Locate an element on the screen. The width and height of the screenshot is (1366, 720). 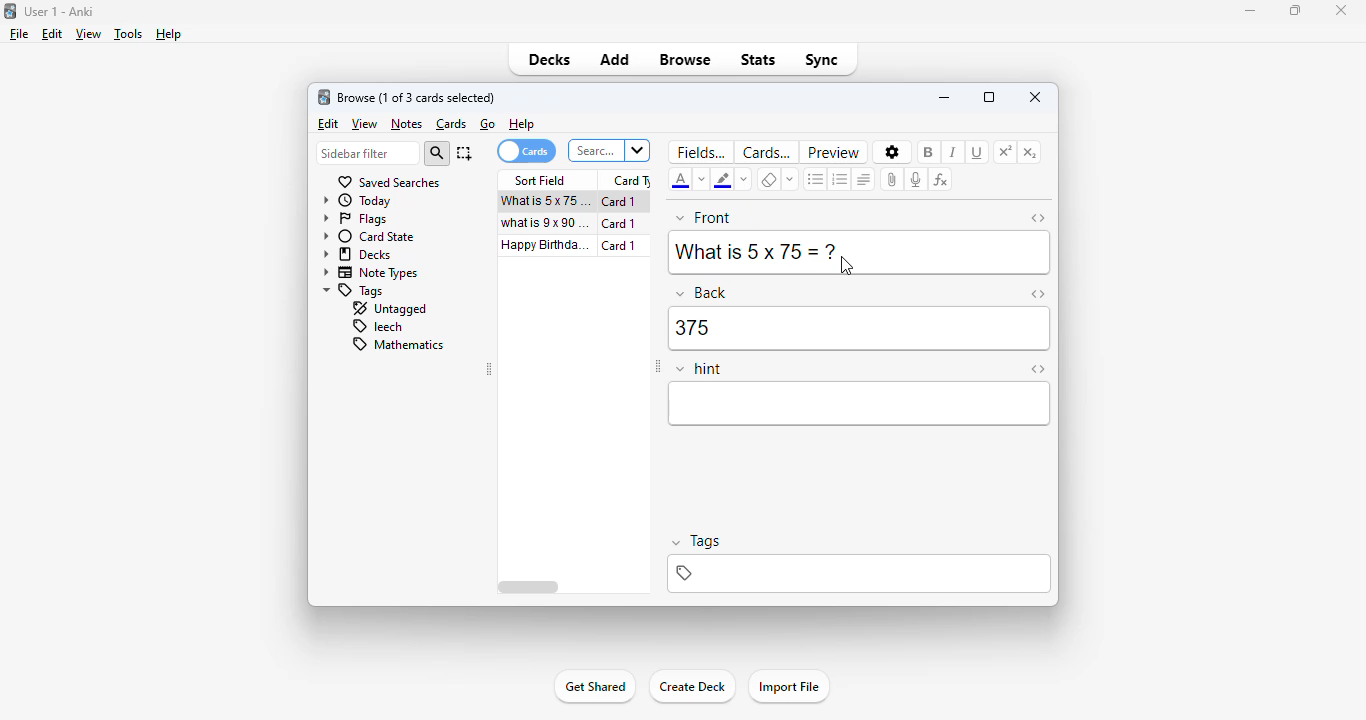
maximize is located at coordinates (1296, 10).